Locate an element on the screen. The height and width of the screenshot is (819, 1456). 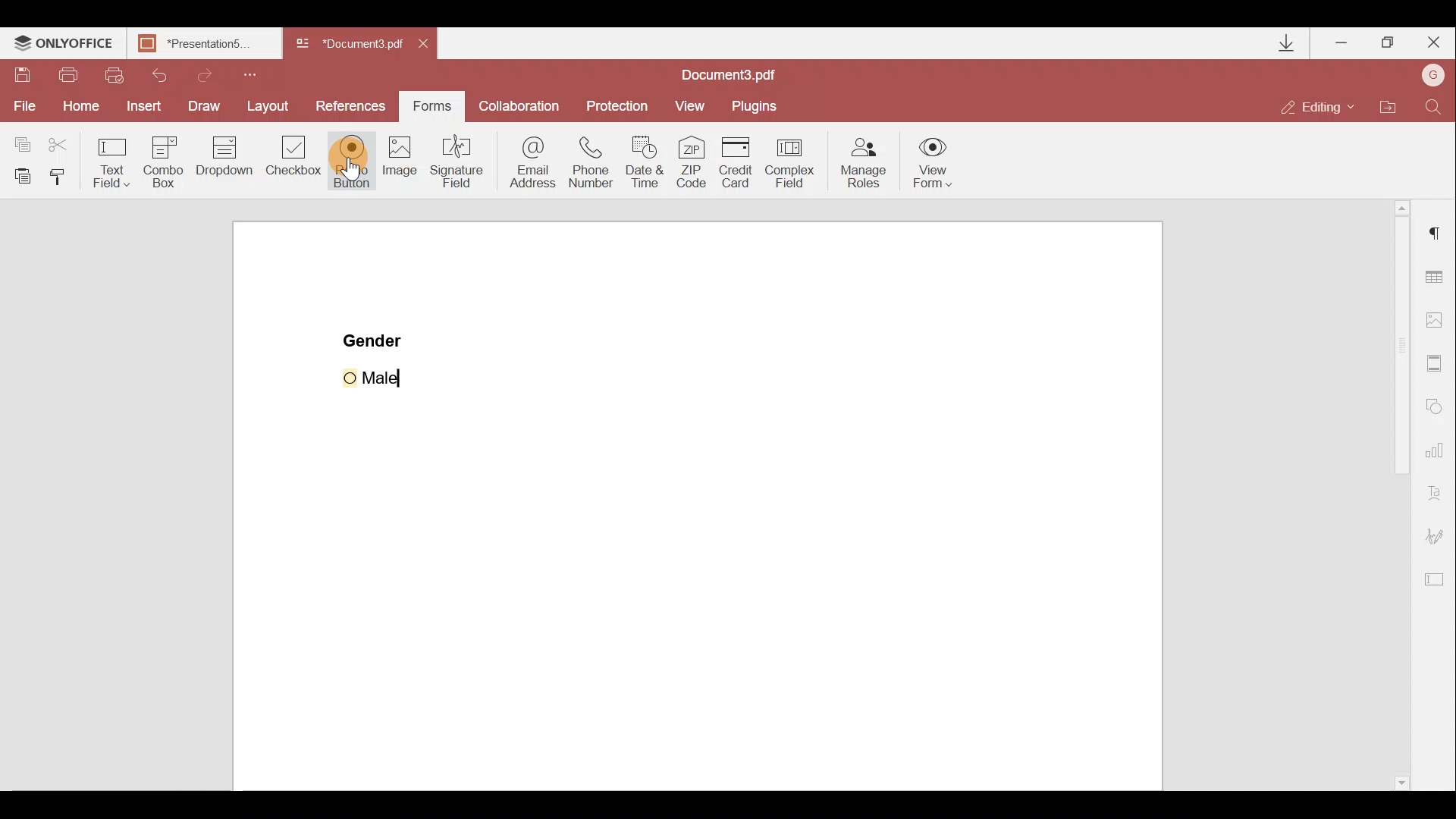
Signature settings is located at coordinates (1442, 536).